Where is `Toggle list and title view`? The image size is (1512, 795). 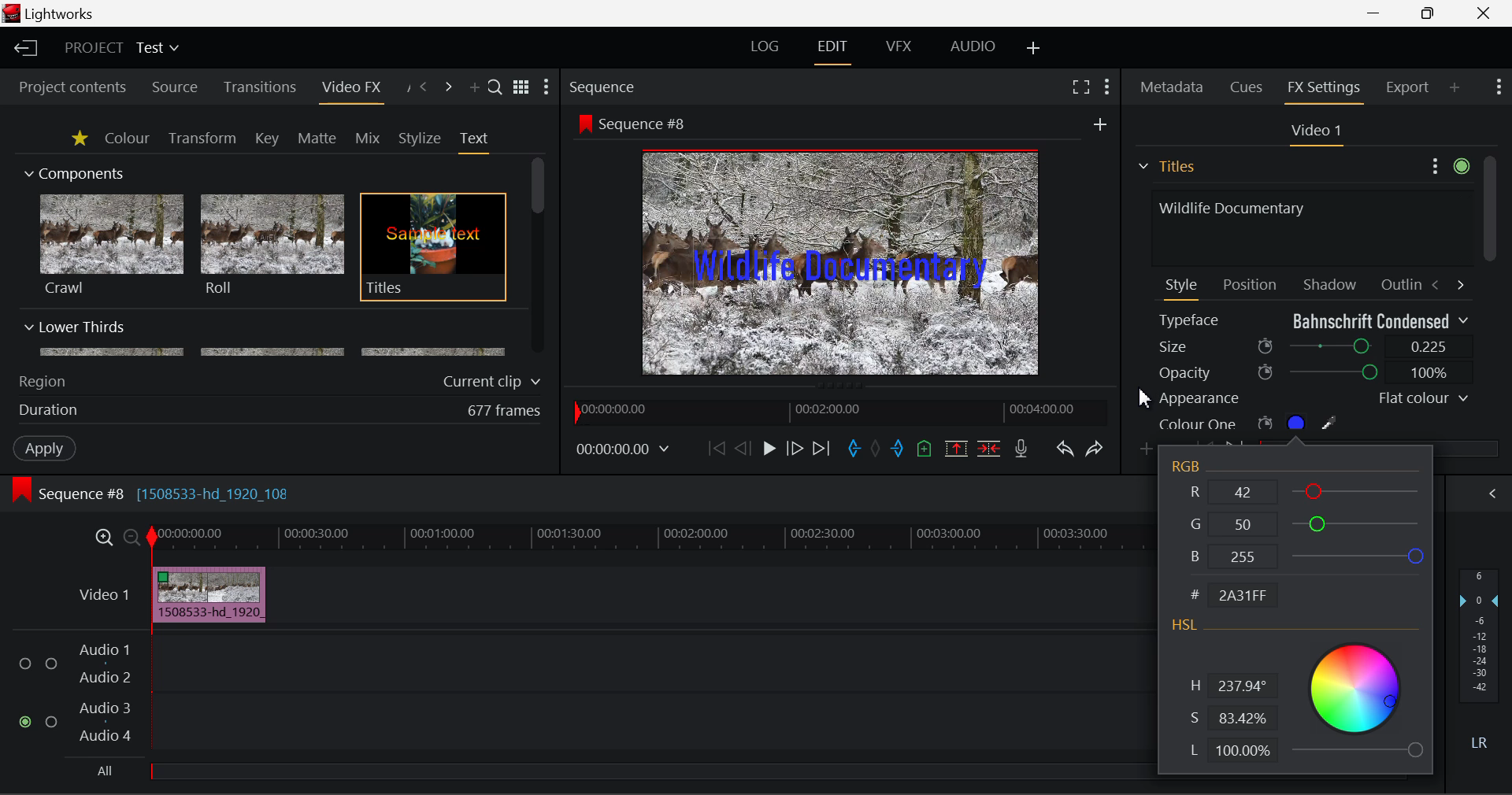
Toggle list and title view is located at coordinates (523, 87).